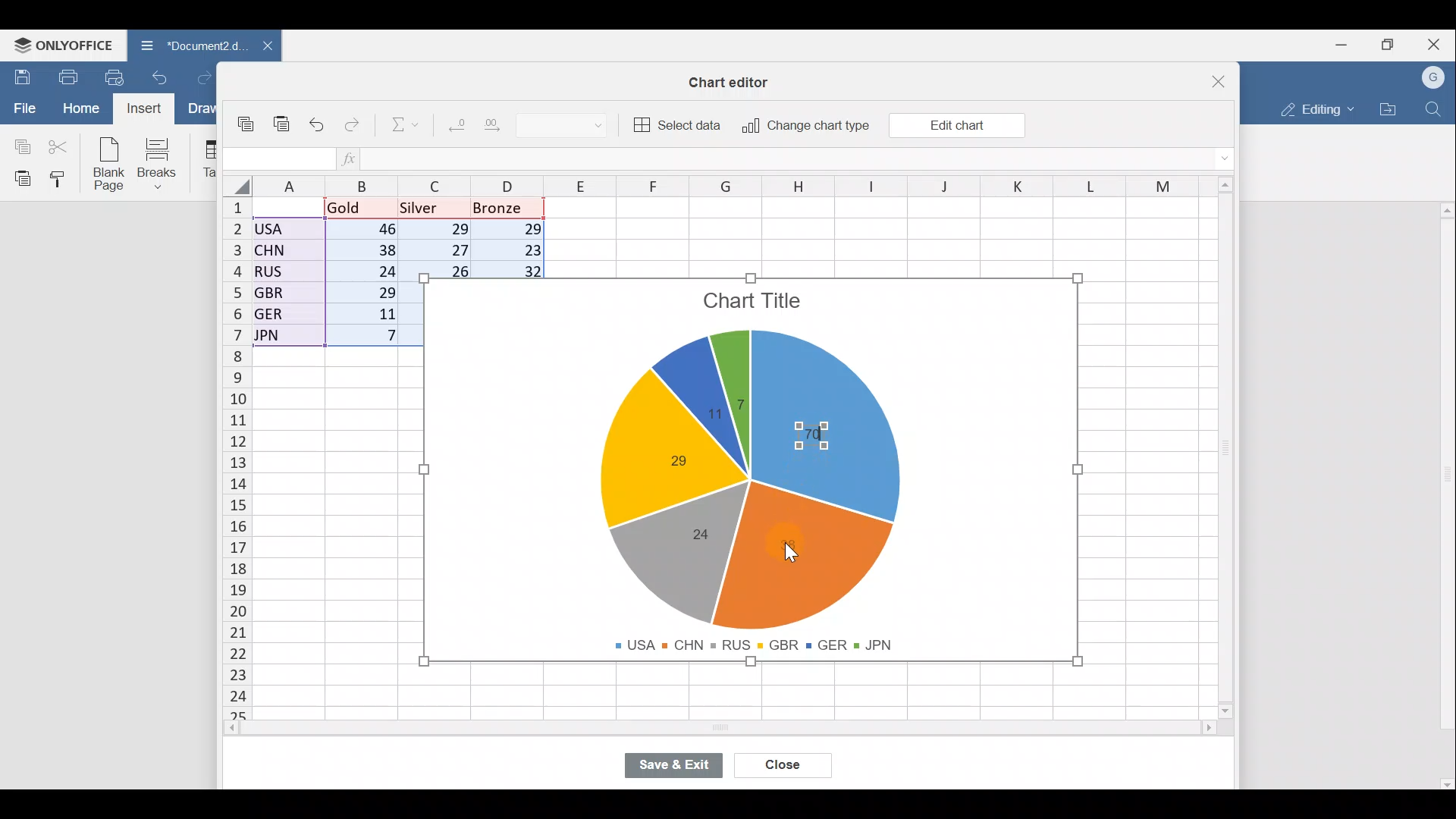  I want to click on ONLYOFFICE Menu, so click(61, 45).